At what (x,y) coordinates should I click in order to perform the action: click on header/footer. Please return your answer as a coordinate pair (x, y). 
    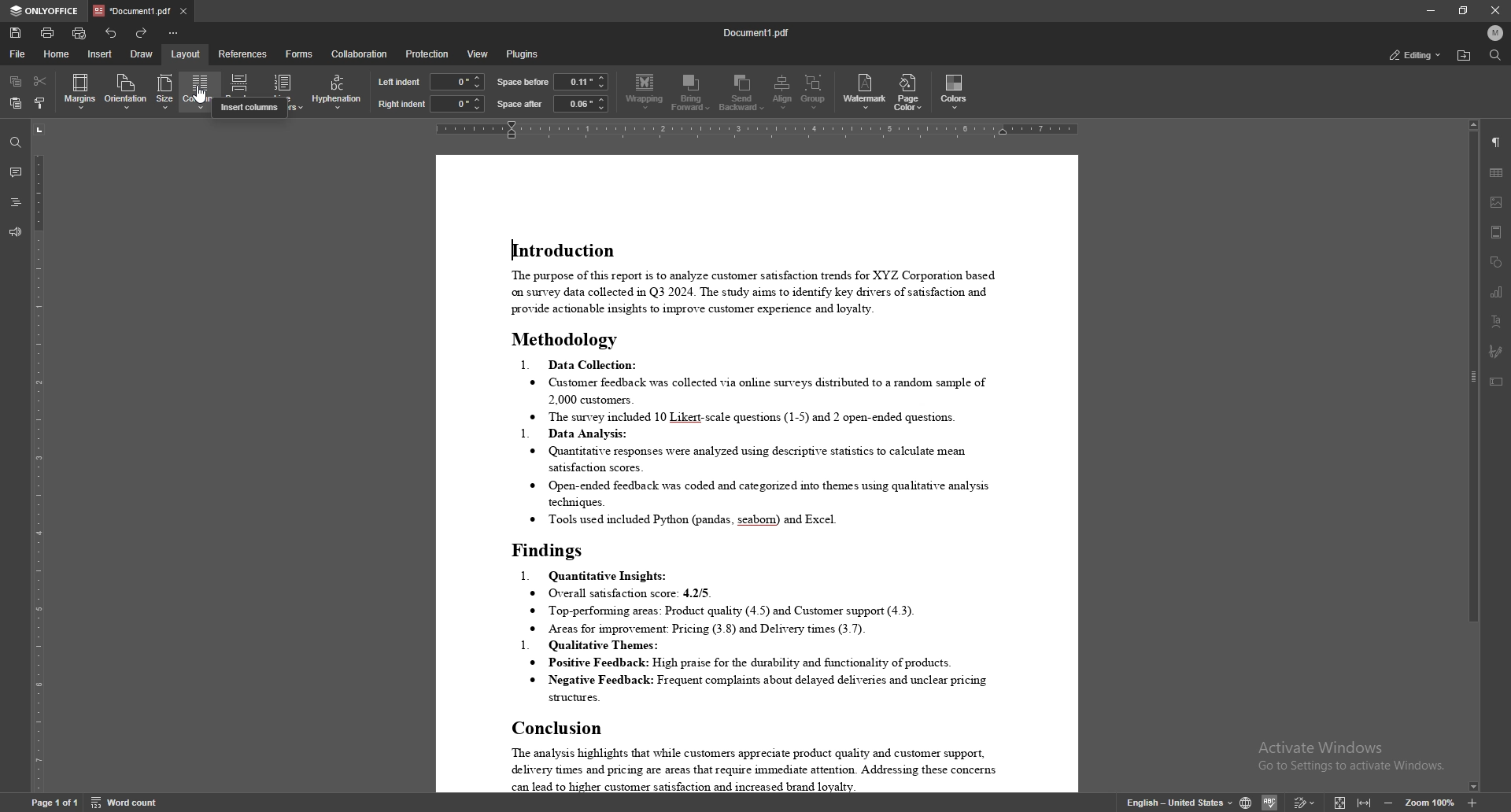
    Looking at the image, I should click on (1497, 232).